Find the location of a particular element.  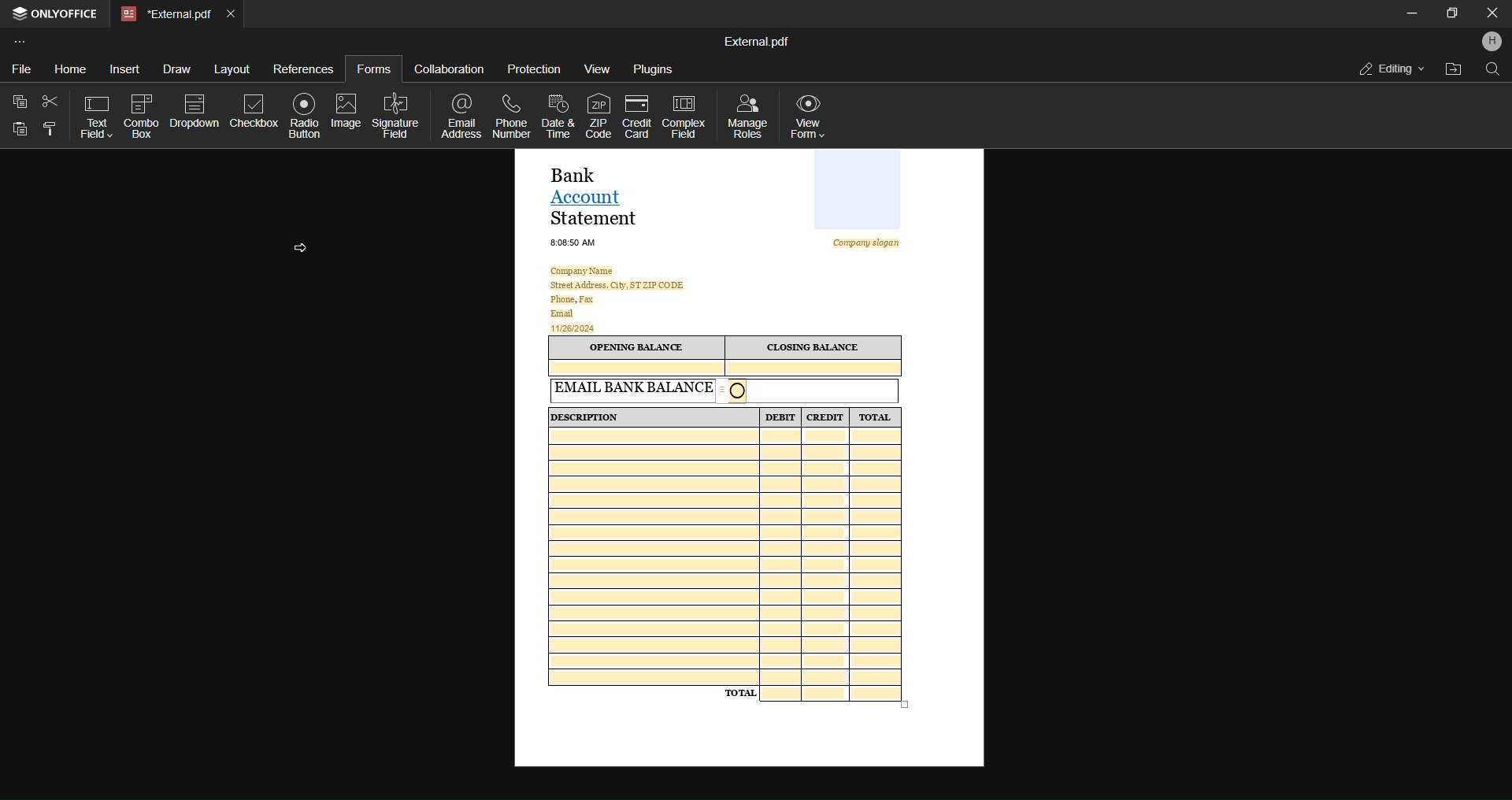

dropdown is located at coordinates (195, 109).